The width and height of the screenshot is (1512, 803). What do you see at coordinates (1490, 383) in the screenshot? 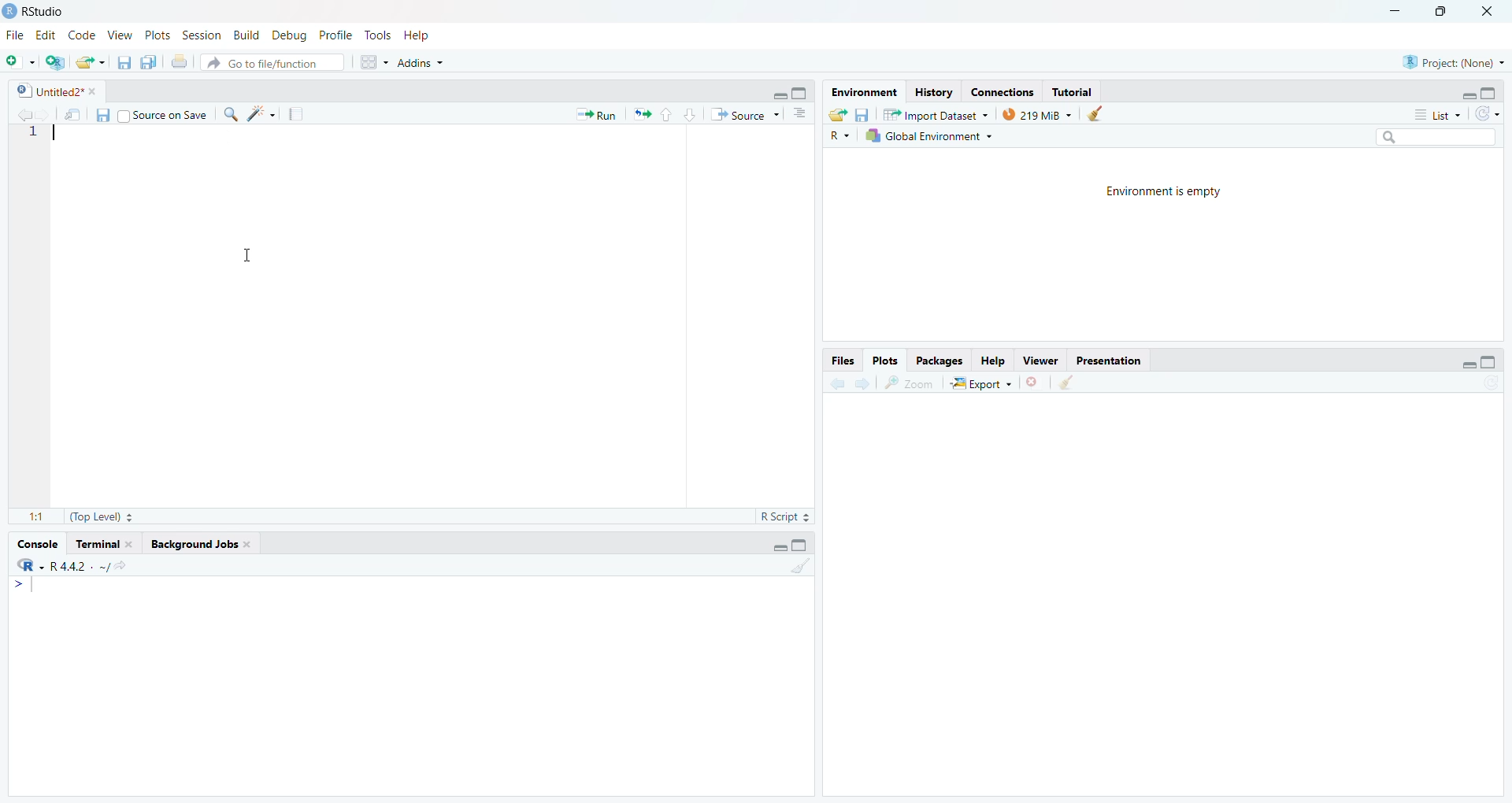
I see `Refresh list` at bounding box center [1490, 383].